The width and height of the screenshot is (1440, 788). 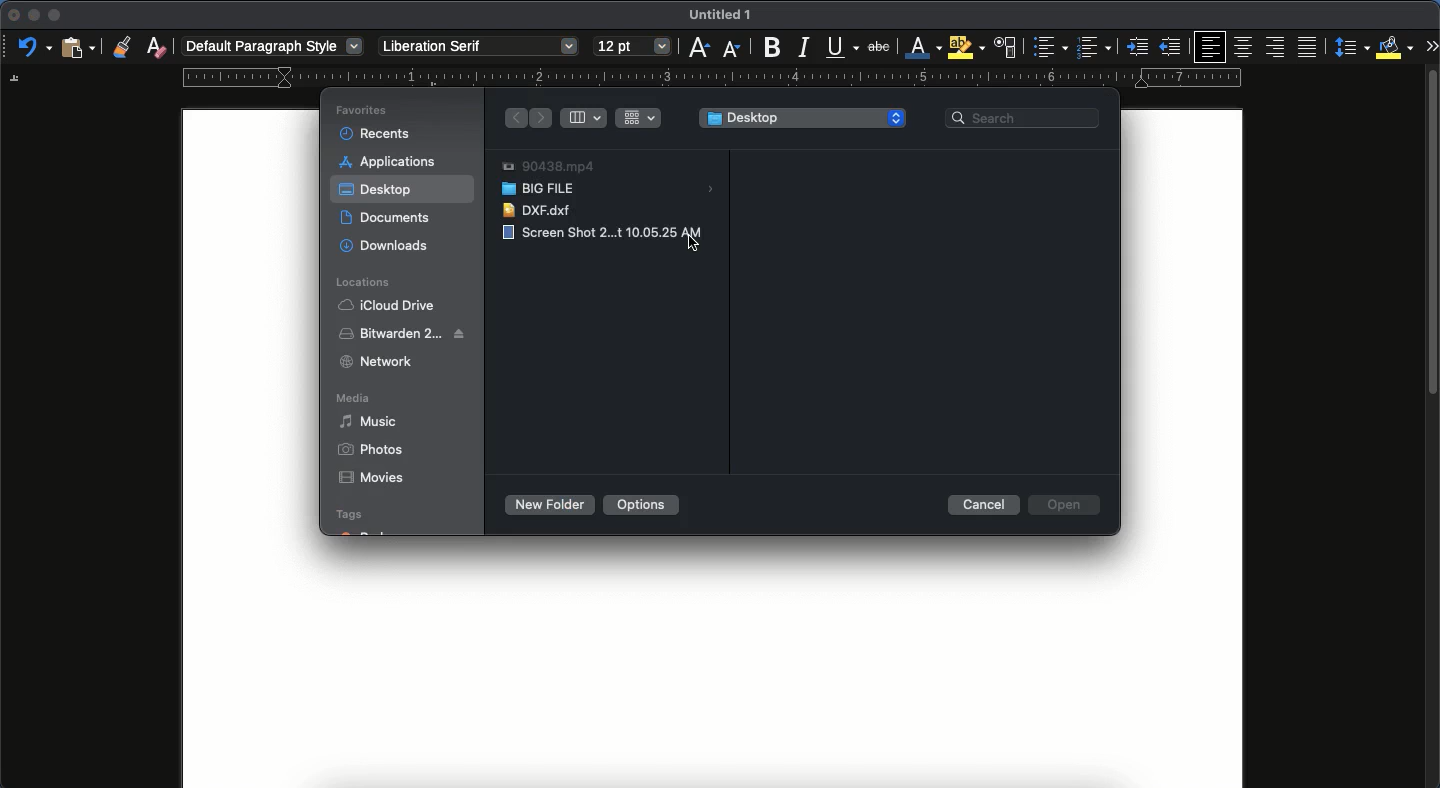 What do you see at coordinates (641, 117) in the screenshot?
I see `grid` at bounding box center [641, 117].